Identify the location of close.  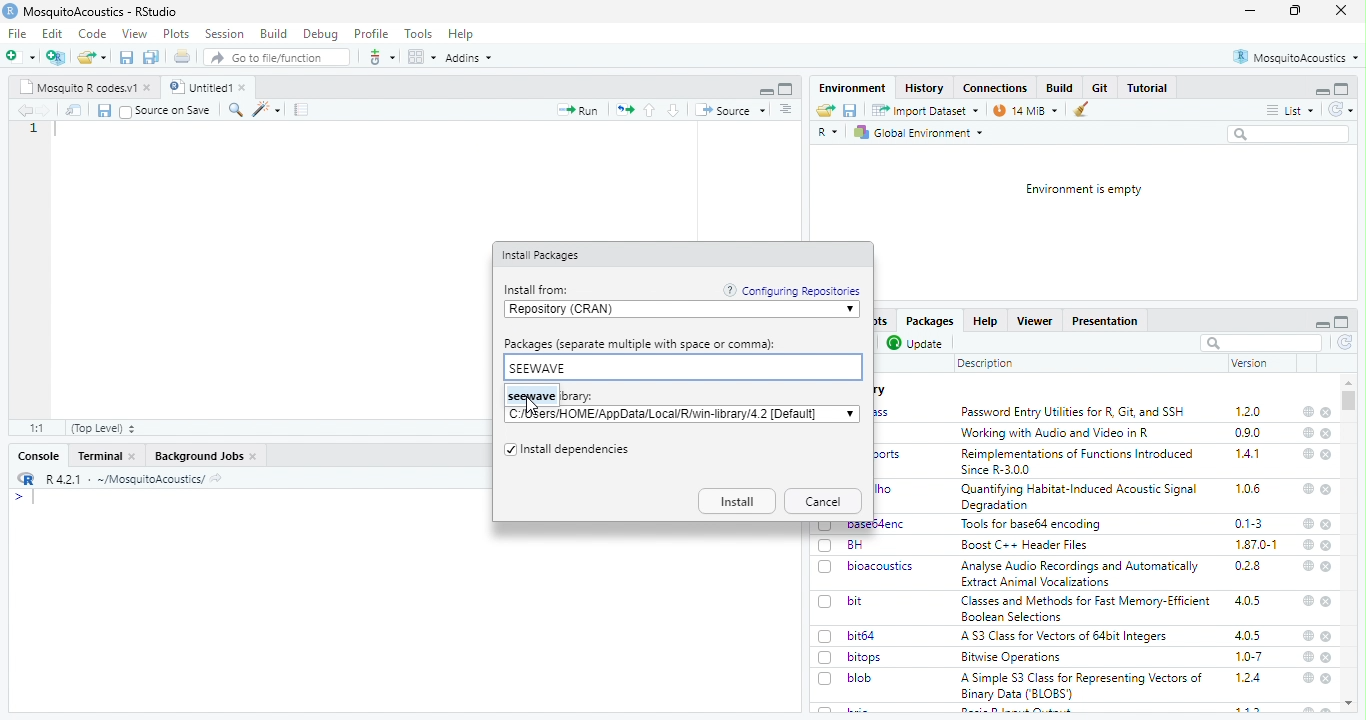
(1328, 546).